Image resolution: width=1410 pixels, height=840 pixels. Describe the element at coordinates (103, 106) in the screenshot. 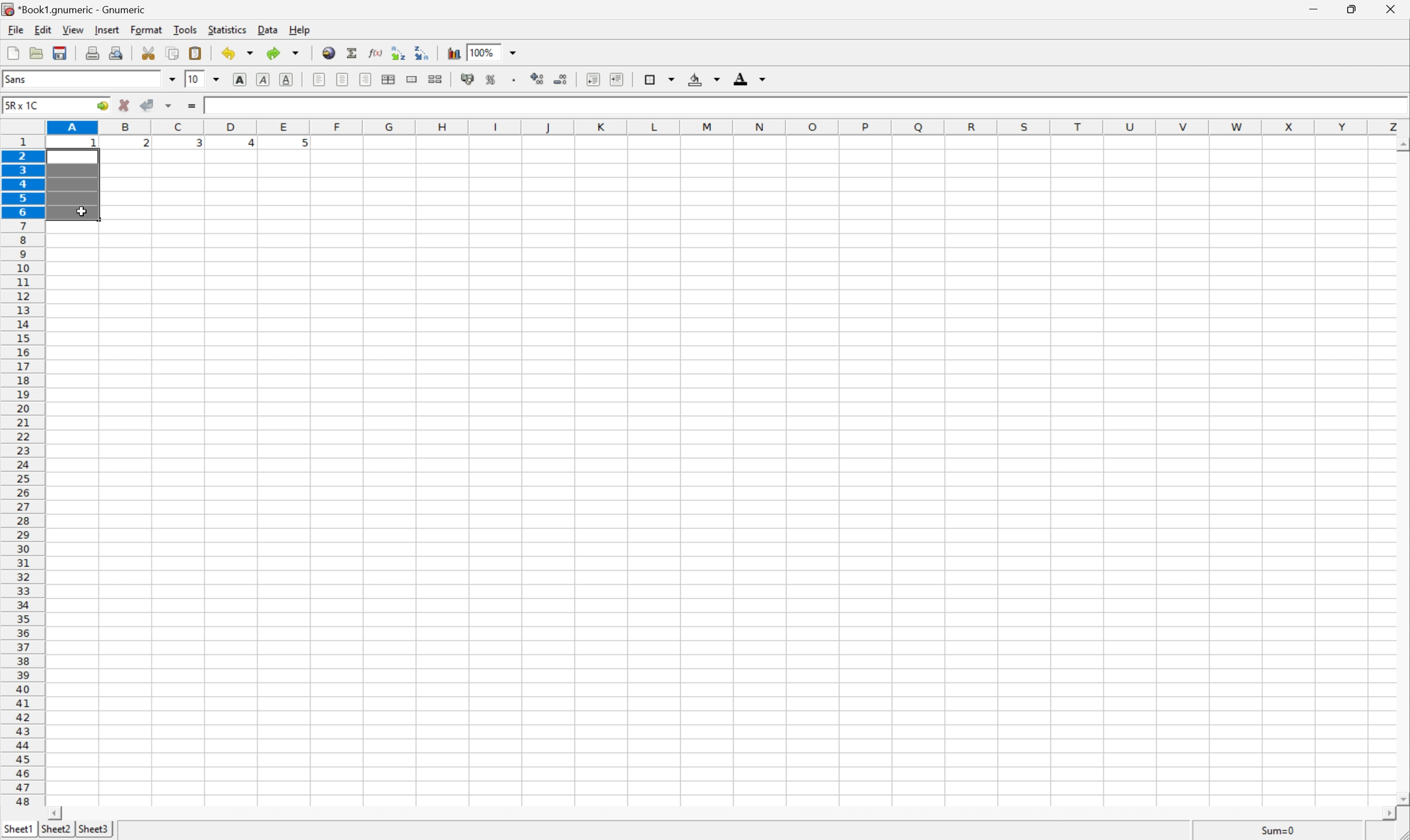

I see `go to` at that location.